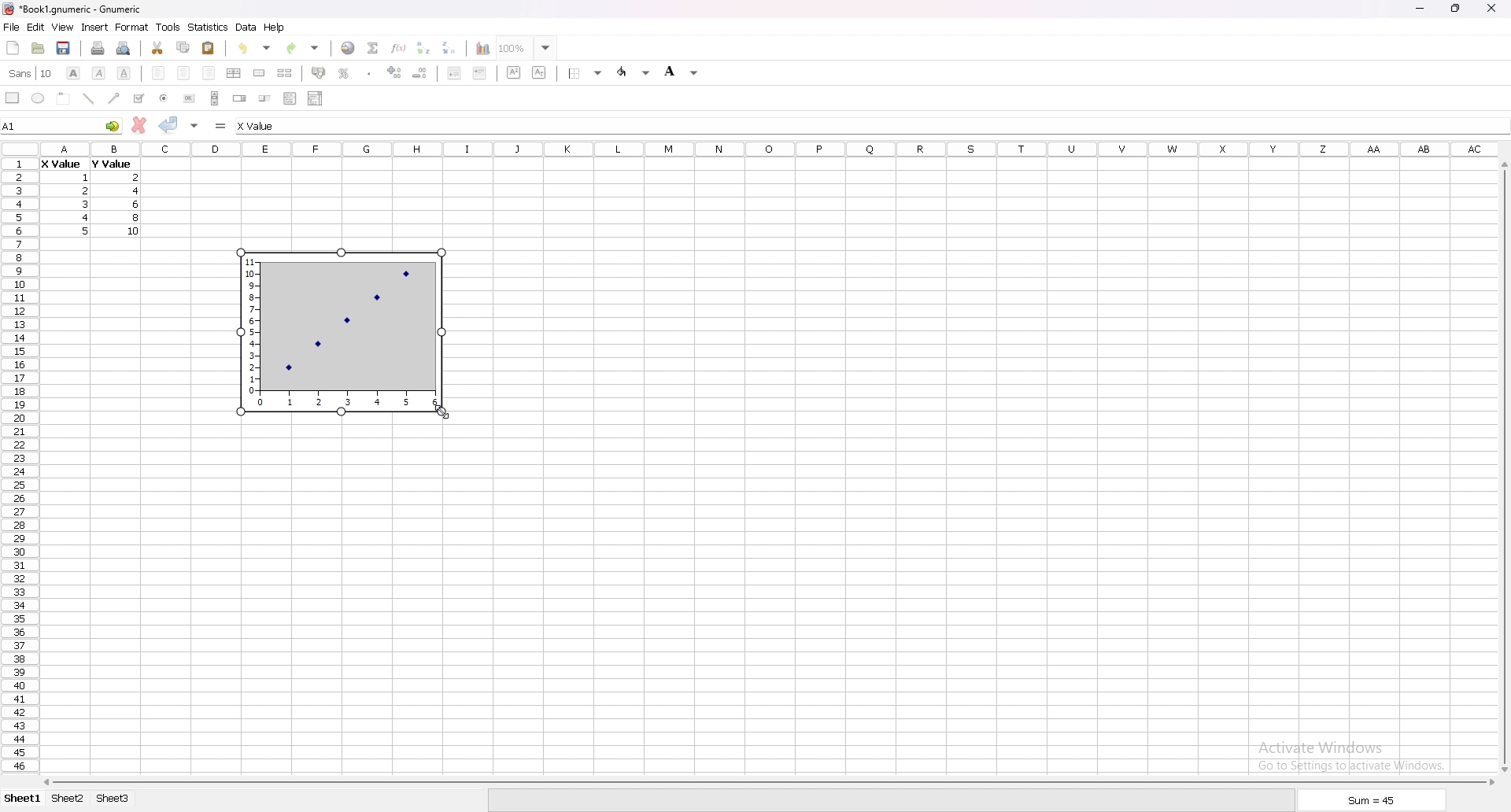 The width and height of the screenshot is (1511, 812). What do you see at coordinates (87, 178) in the screenshot?
I see `value` at bounding box center [87, 178].